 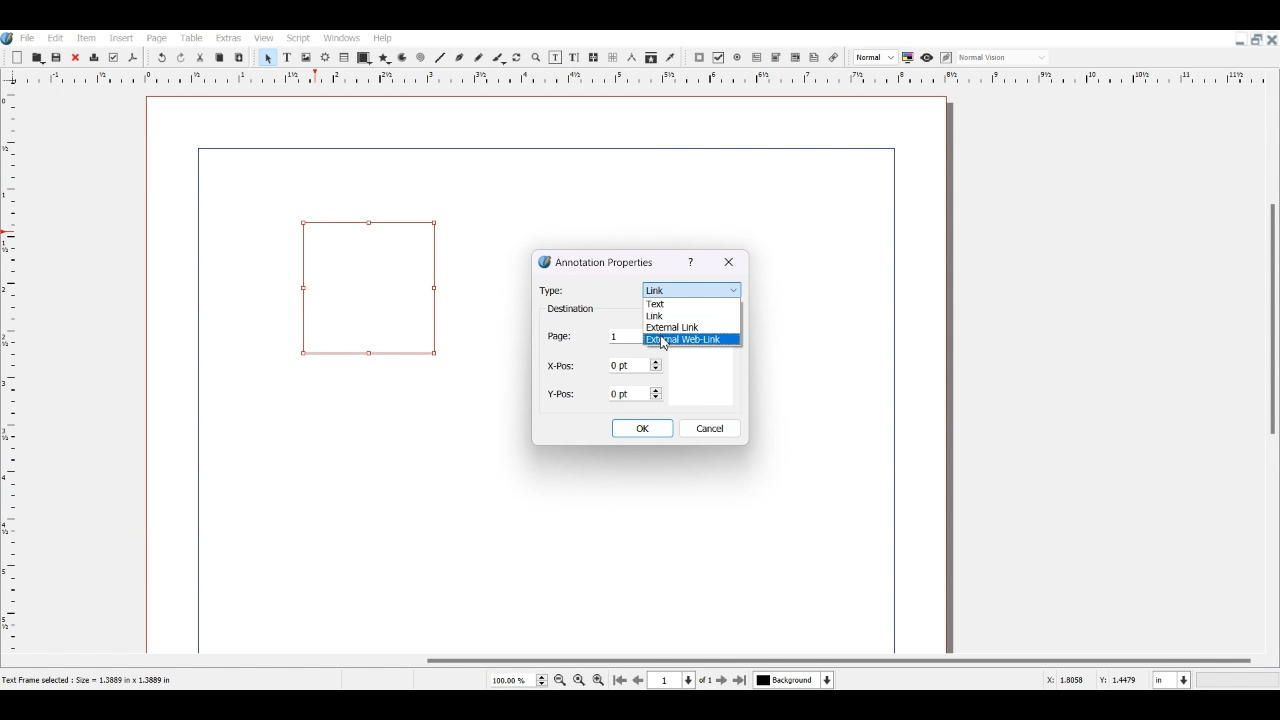 I want to click on Freehand line, so click(x=478, y=57).